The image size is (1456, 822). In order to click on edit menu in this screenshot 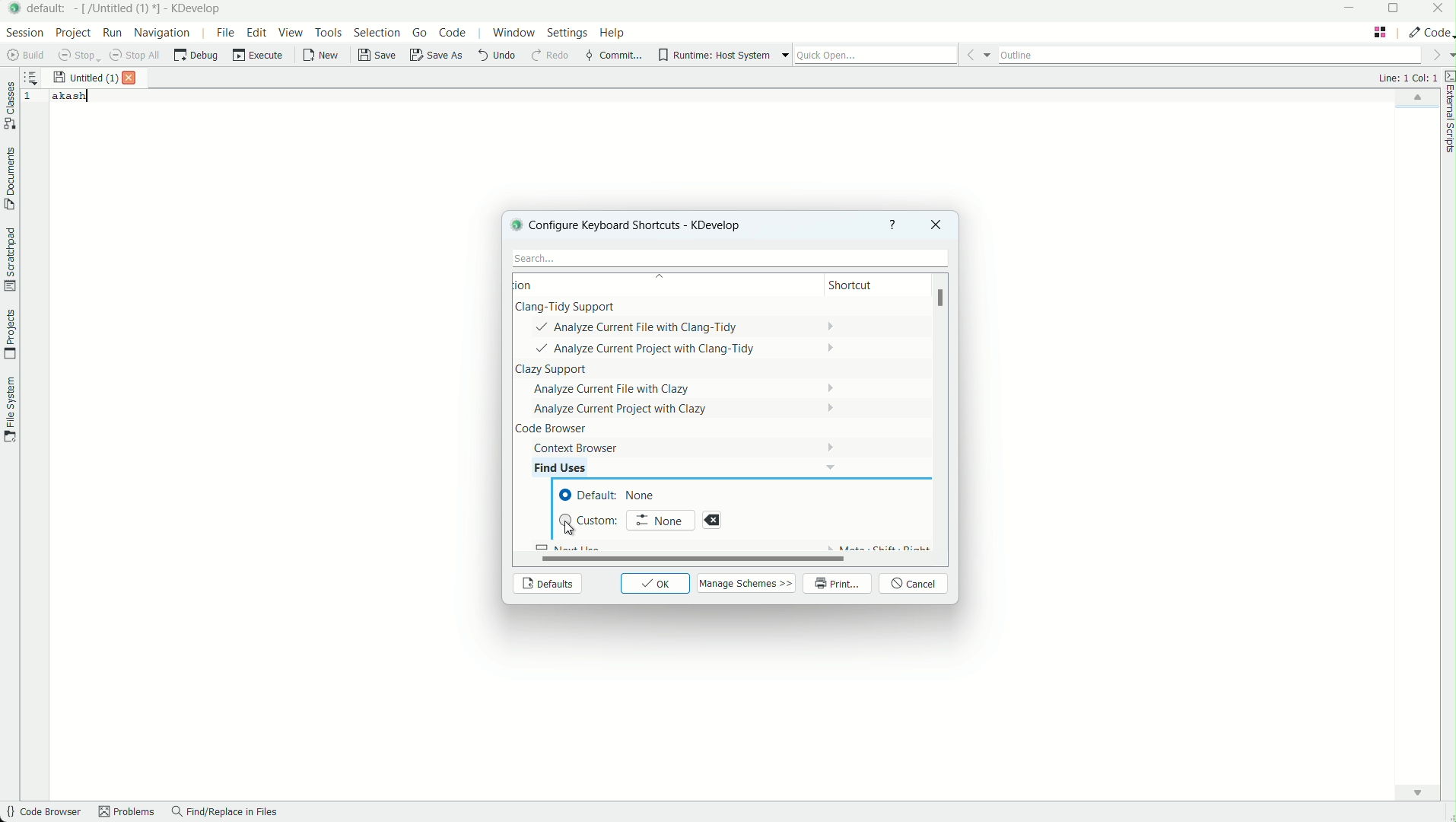, I will do `click(257, 32)`.